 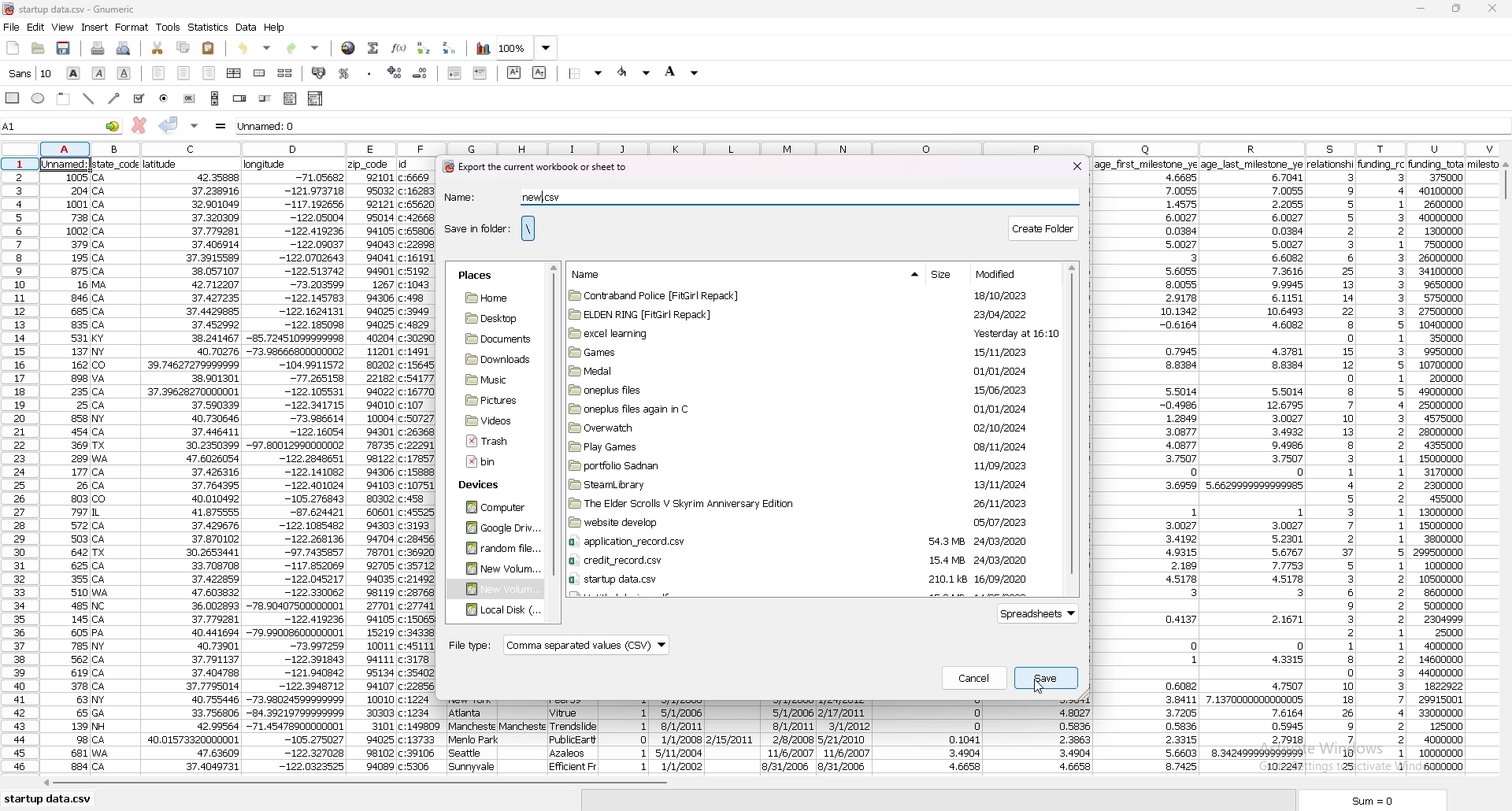 I want to click on line, so click(x=91, y=98).